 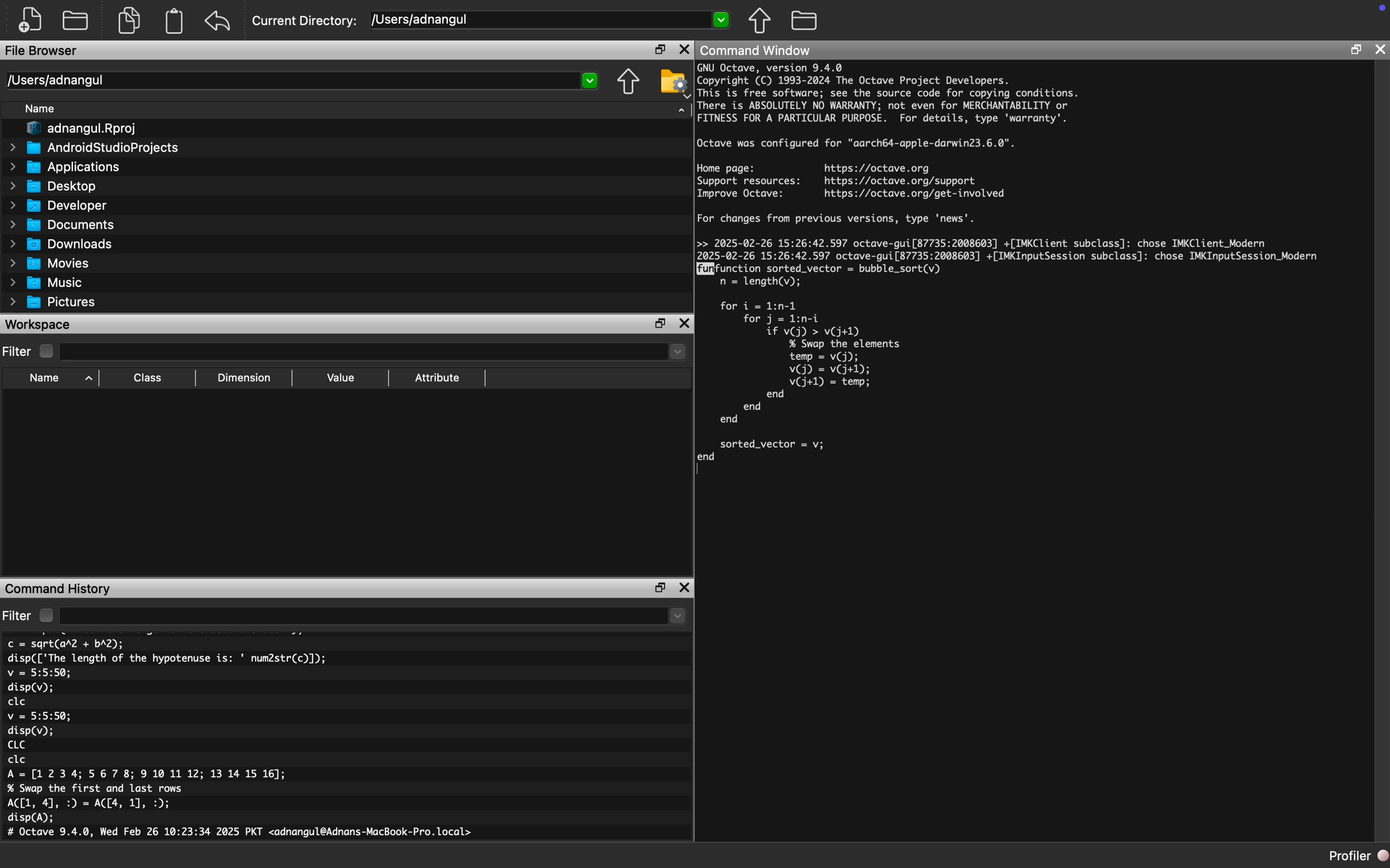 What do you see at coordinates (58, 379) in the screenshot?
I see `Name ` at bounding box center [58, 379].